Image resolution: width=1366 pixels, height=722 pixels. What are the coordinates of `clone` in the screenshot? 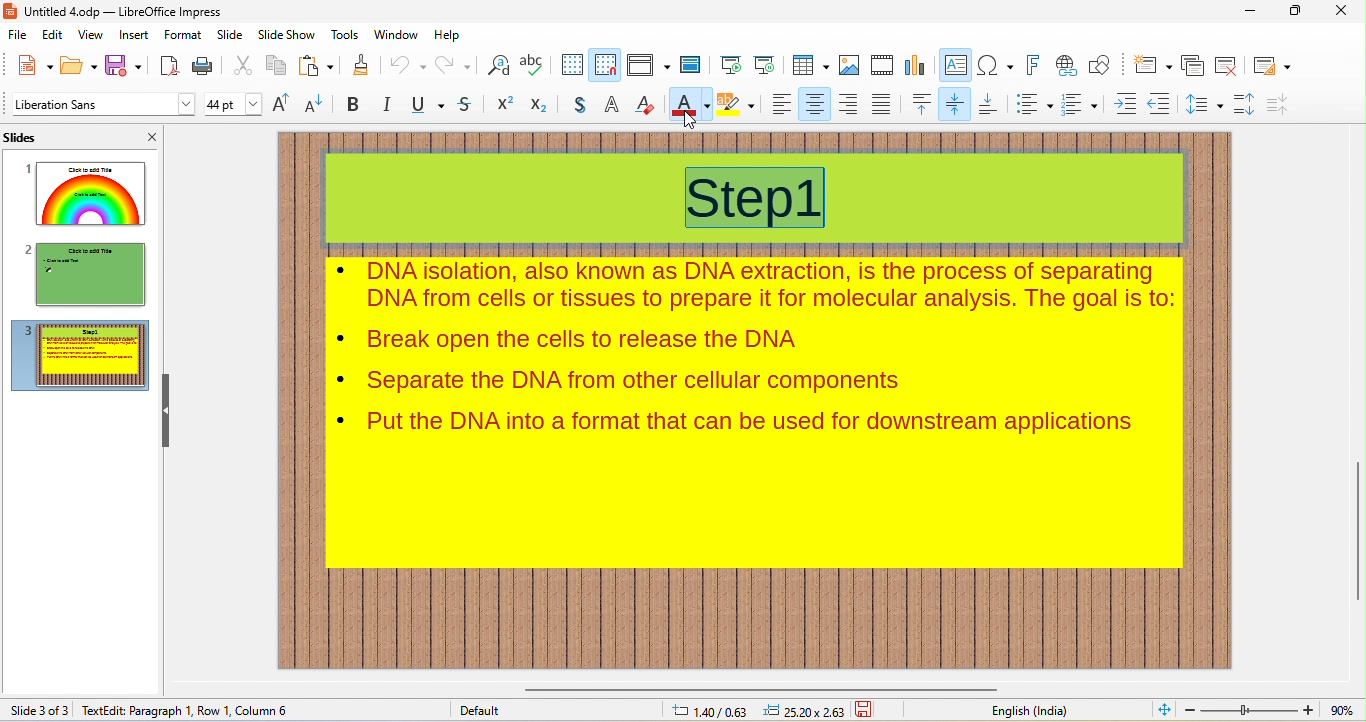 It's located at (361, 65).